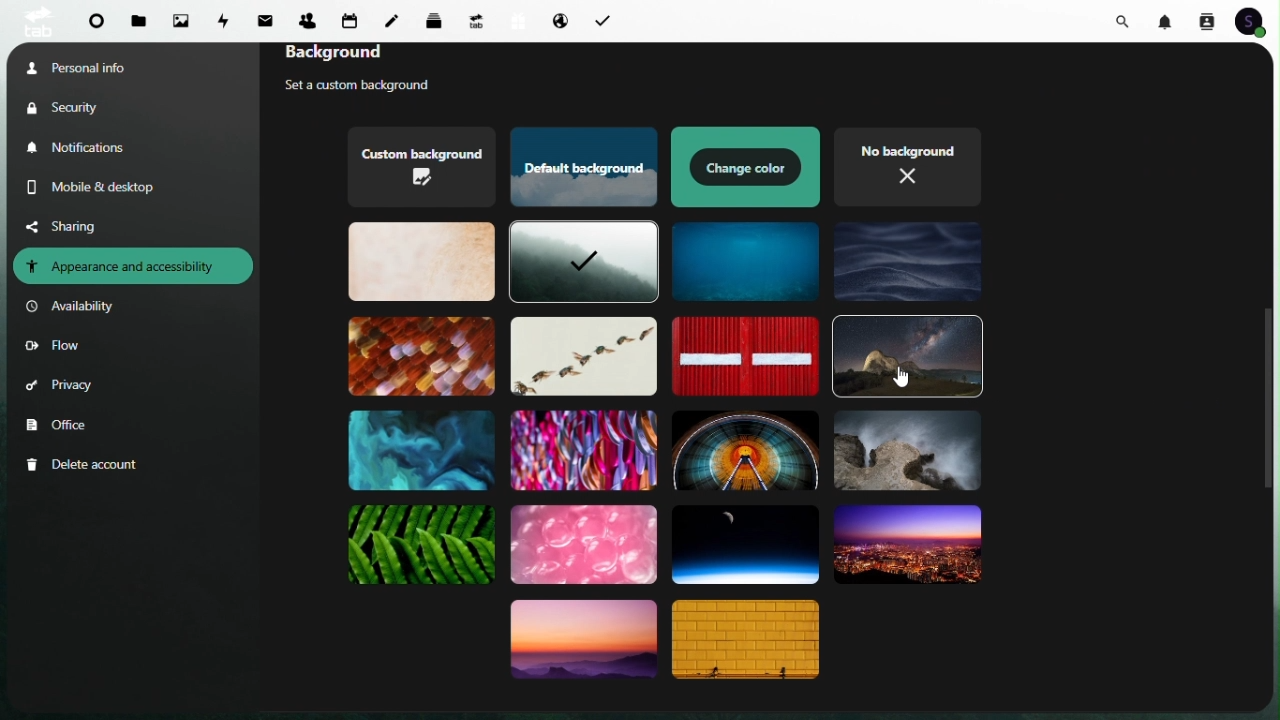 The height and width of the screenshot is (720, 1280). I want to click on Themes, so click(747, 167).